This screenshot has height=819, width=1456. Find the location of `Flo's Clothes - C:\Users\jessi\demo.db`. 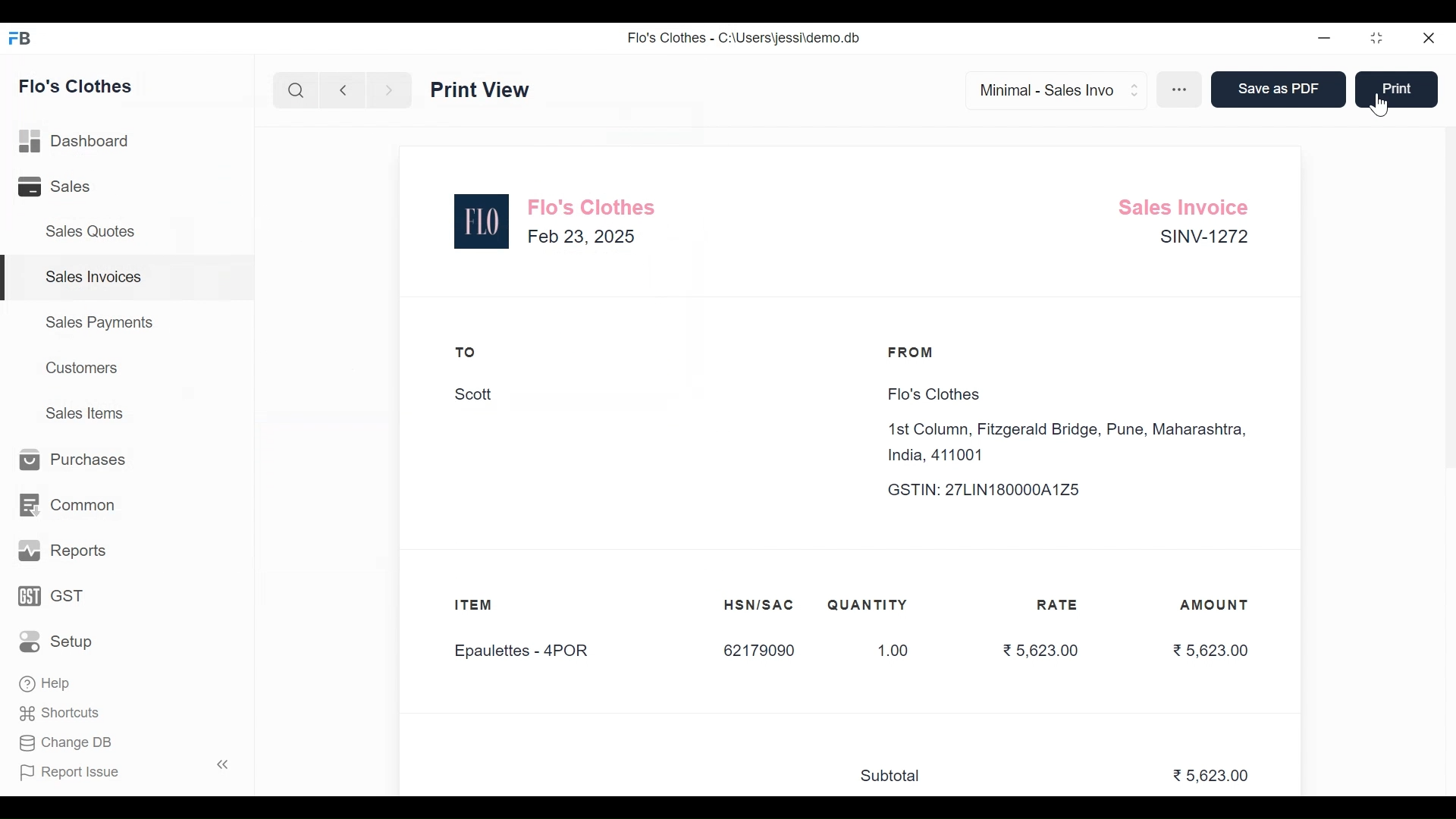

Flo's Clothes - C:\Users\jessi\demo.db is located at coordinates (744, 36).